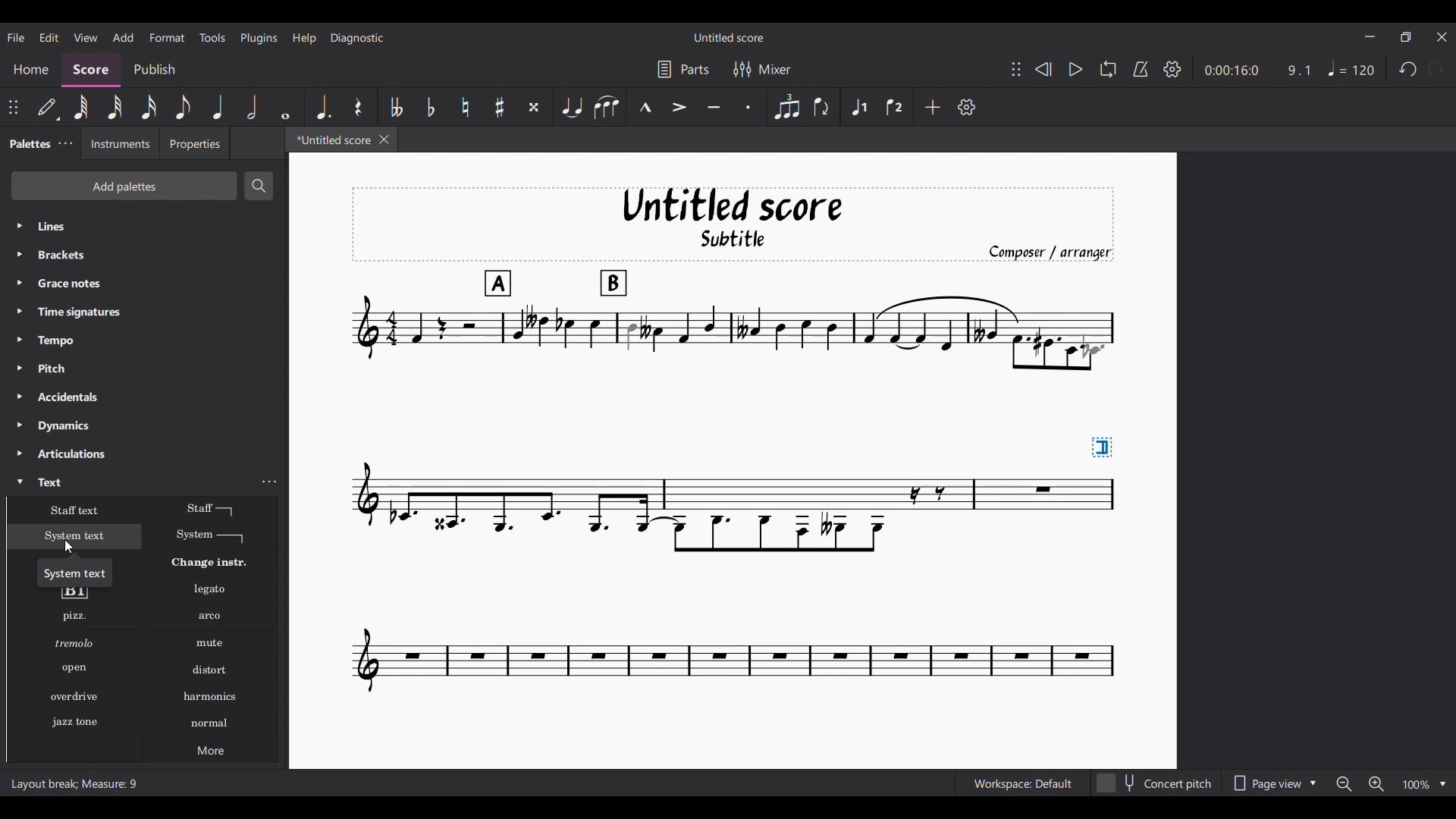 Image resolution: width=1456 pixels, height=819 pixels. Describe the element at coordinates (257, 186) in the screenshot. I see `Search` at that location.